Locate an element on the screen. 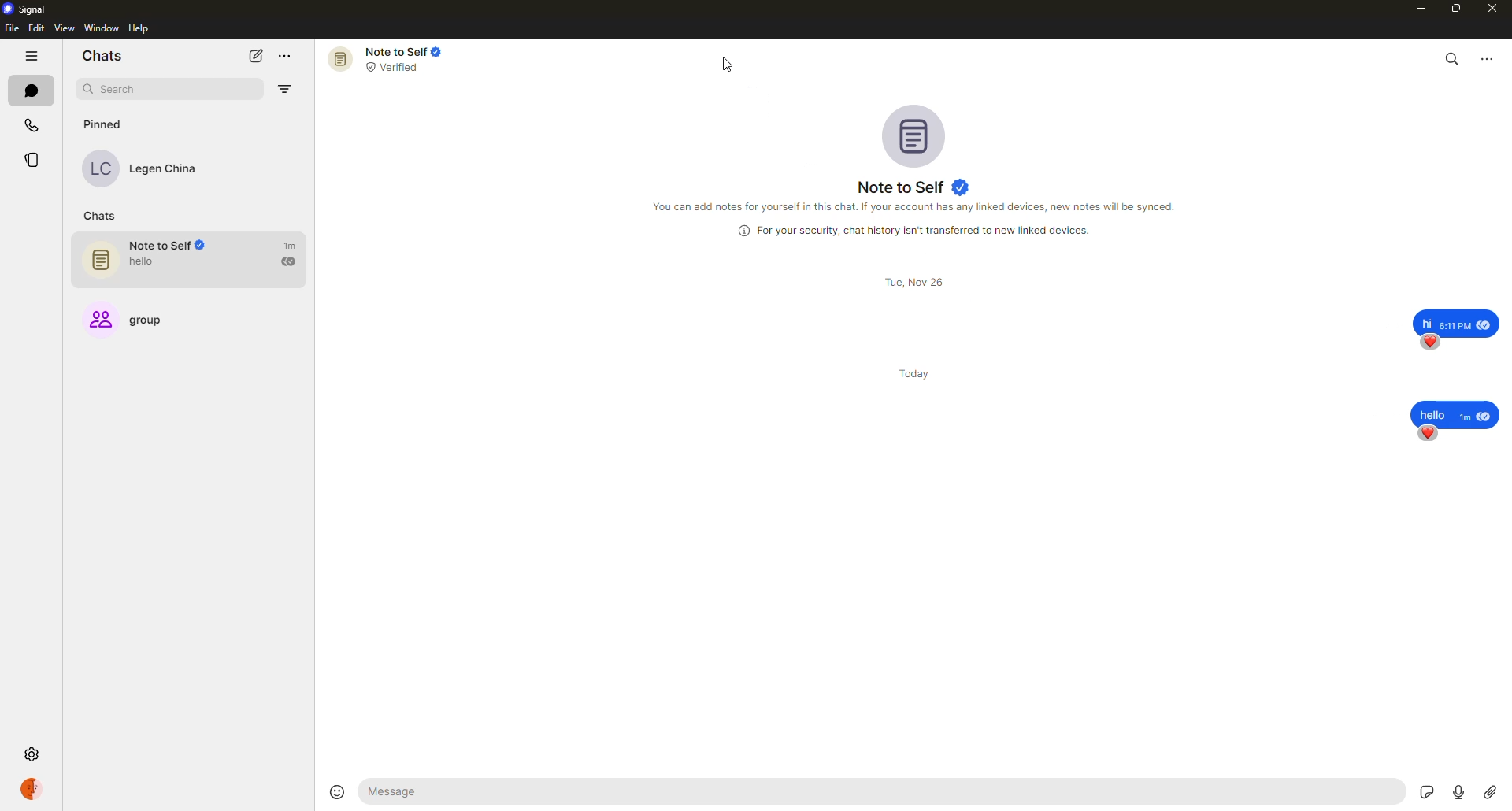  profile pic is located at coordinates (918, 135).